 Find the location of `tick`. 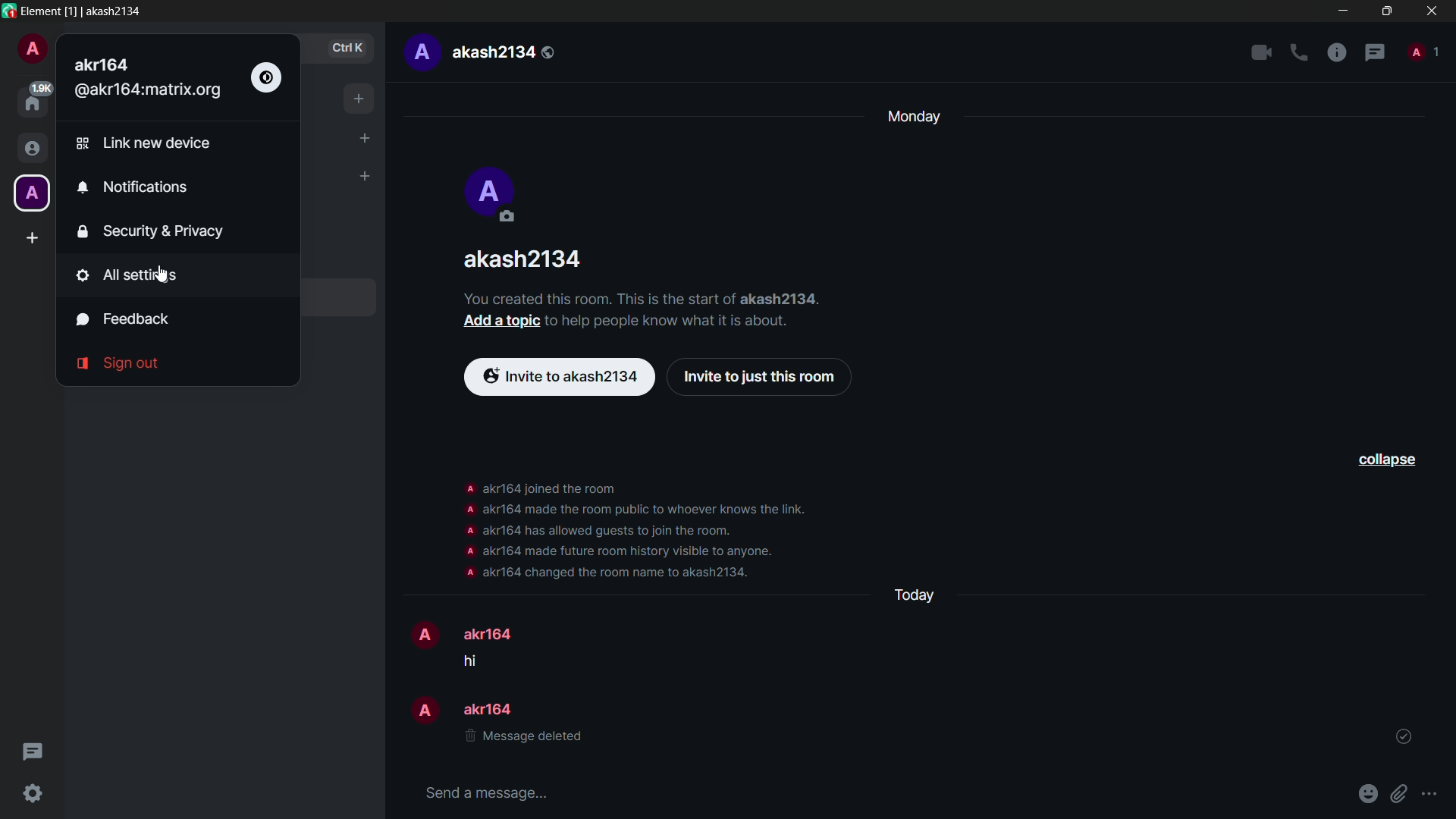

tick is located at coordinates (1404, 737).